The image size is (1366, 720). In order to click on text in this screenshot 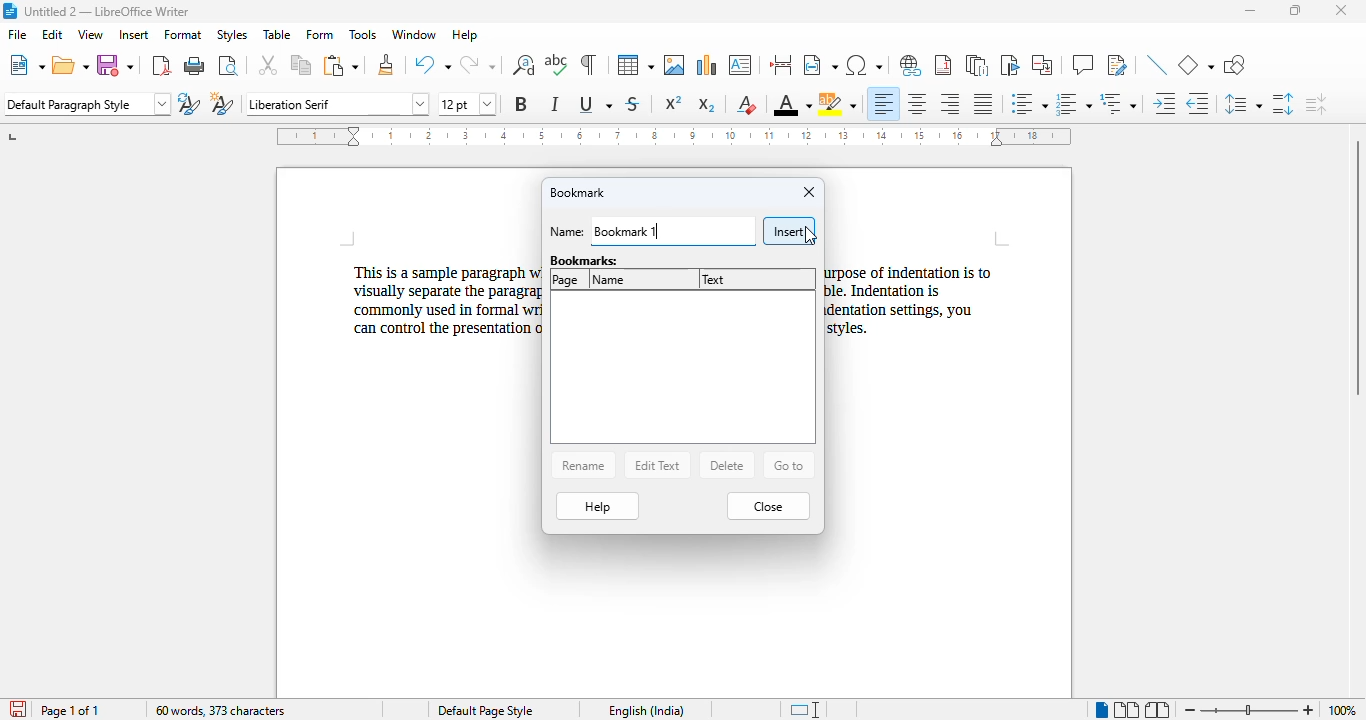, I will do `click(714, 279)`.